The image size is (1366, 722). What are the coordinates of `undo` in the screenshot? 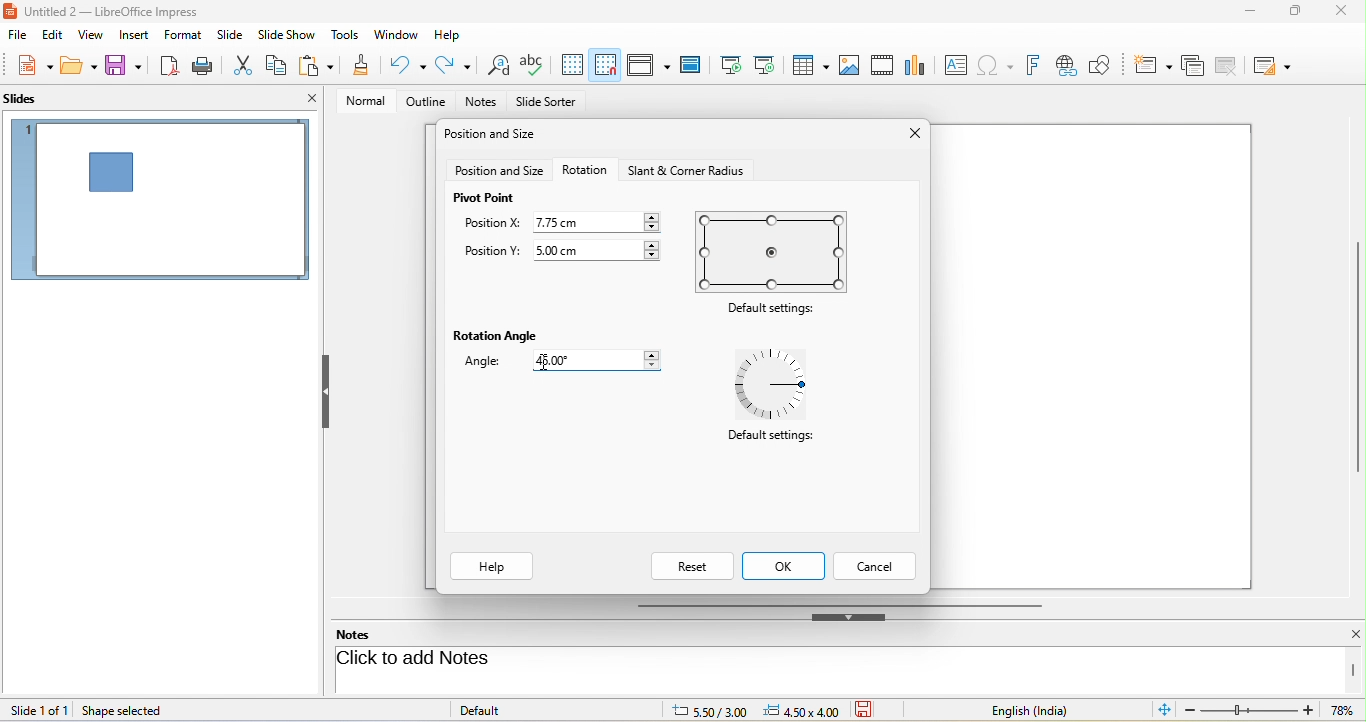 It's located at (410, 65).